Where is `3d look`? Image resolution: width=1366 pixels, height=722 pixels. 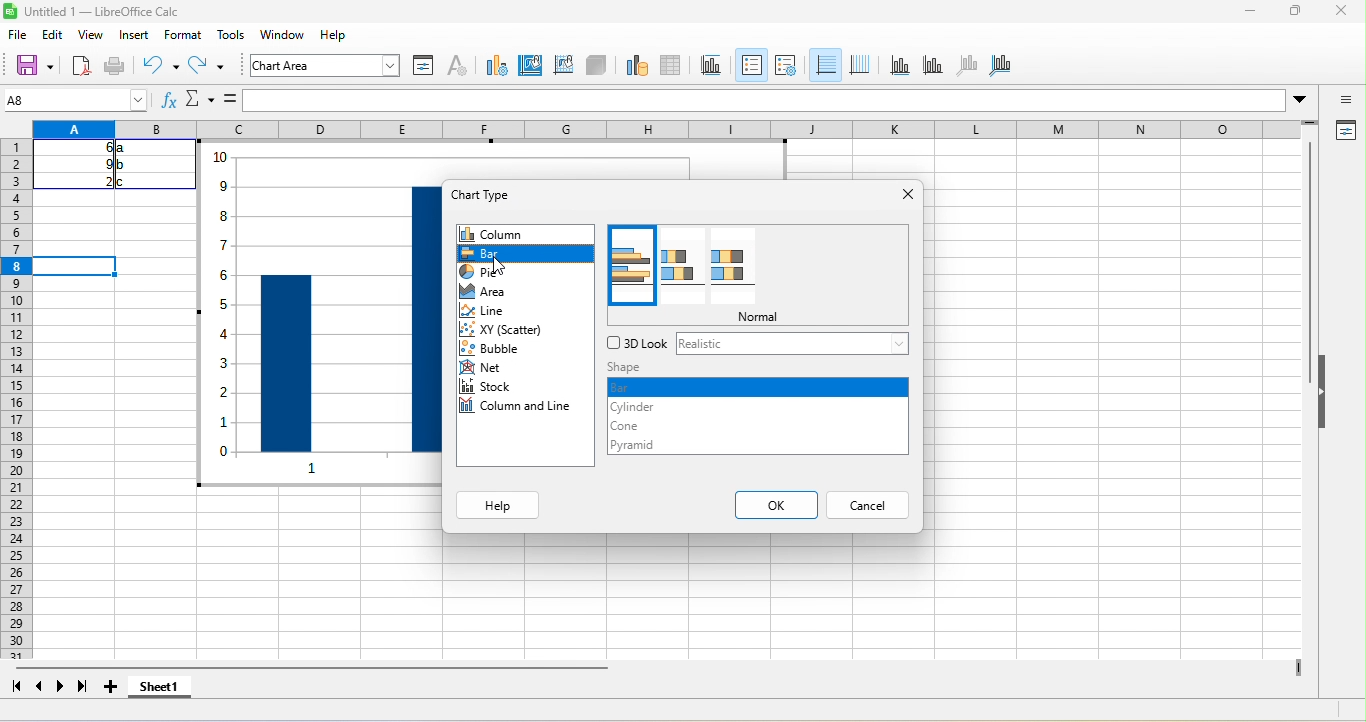 3d look is located at coordinates (637, 345).